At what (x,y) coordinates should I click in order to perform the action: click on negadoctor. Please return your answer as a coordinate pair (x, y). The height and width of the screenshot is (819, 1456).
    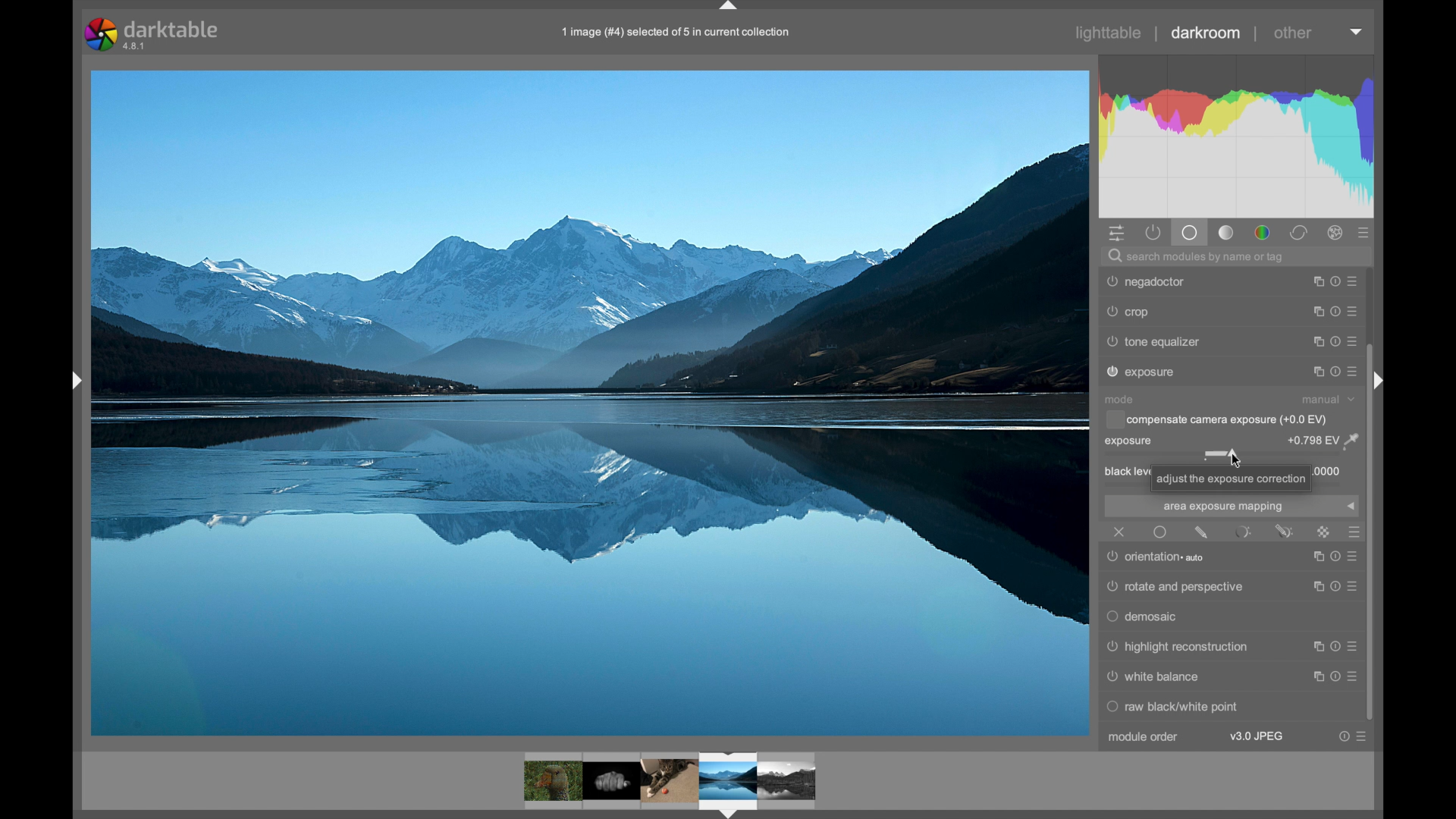
    Looking at the image, I should click on (1146, 372).